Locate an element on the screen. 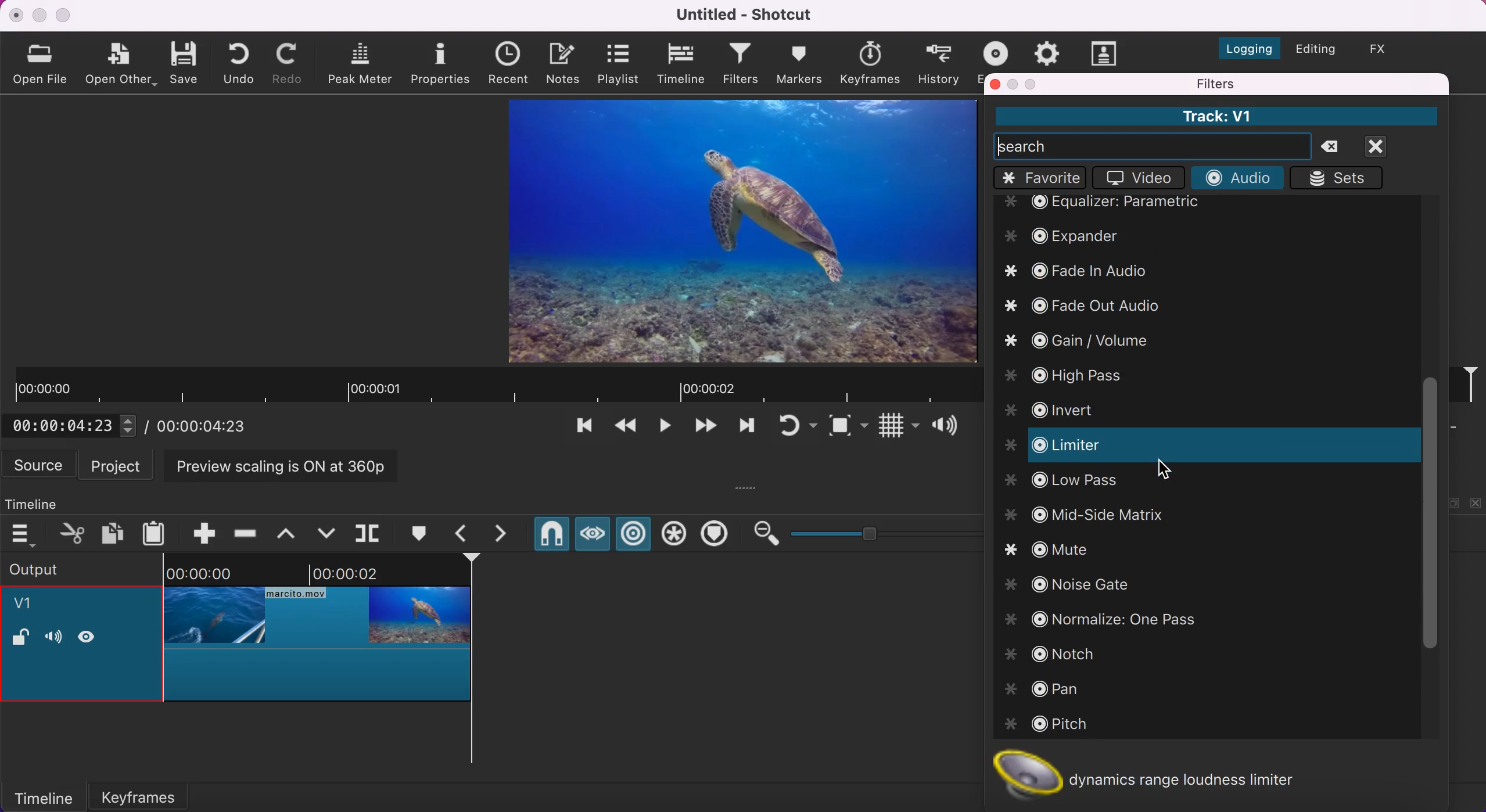 The height and width of the screenshot is (812, 1486). output is located at coordinates (65, 568).